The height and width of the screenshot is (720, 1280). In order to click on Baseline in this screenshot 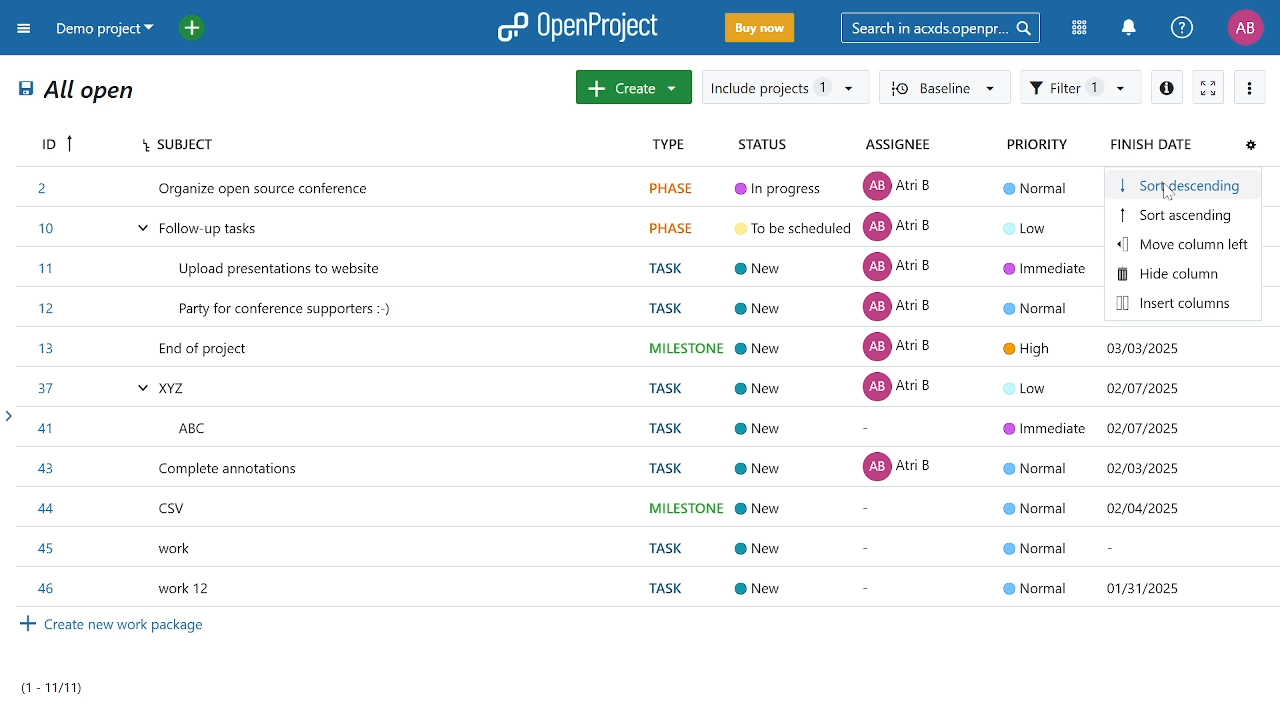, I will do `click(941, 88)`.